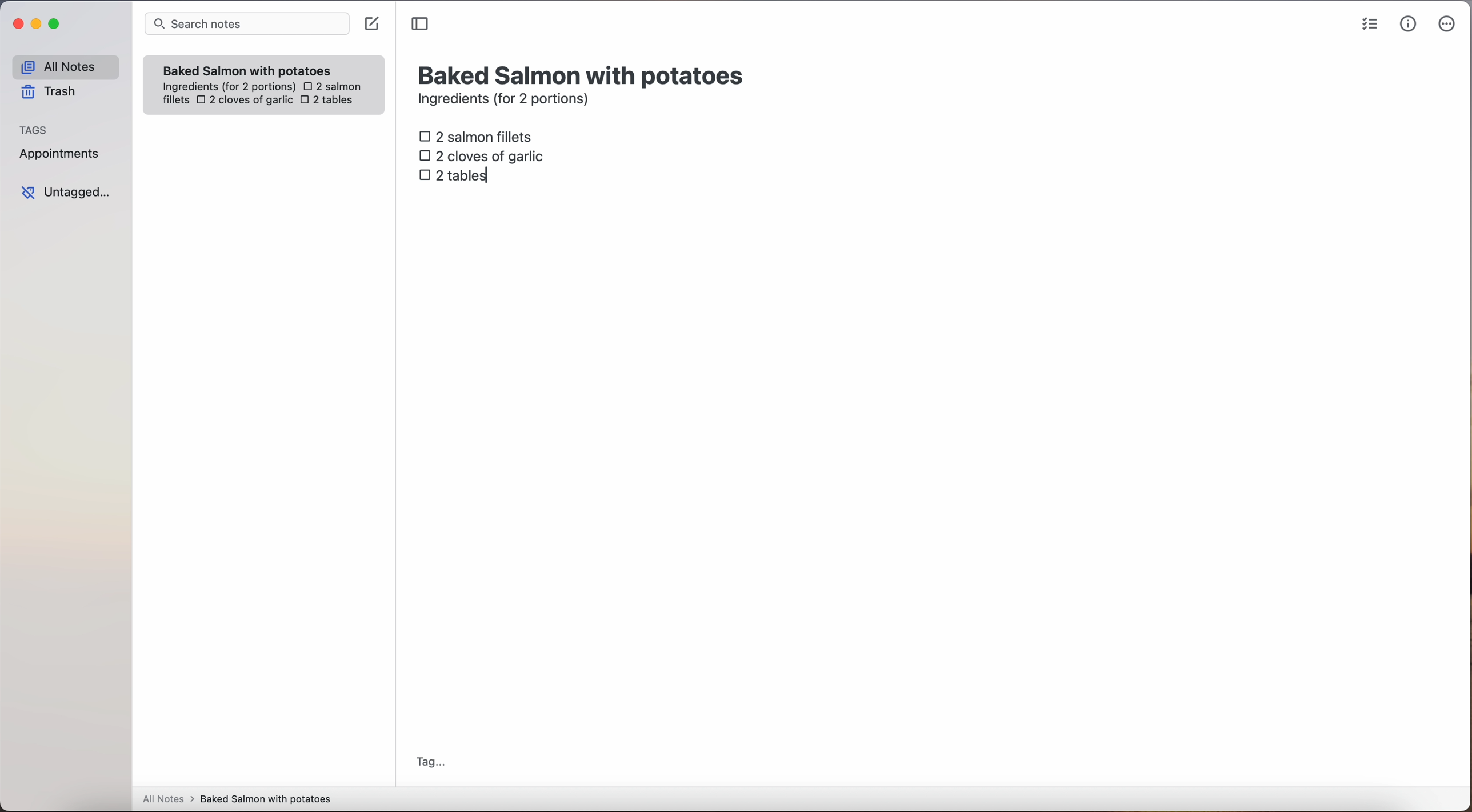  I want to click on ingredientes (for 2 portions), so click(227, 87).